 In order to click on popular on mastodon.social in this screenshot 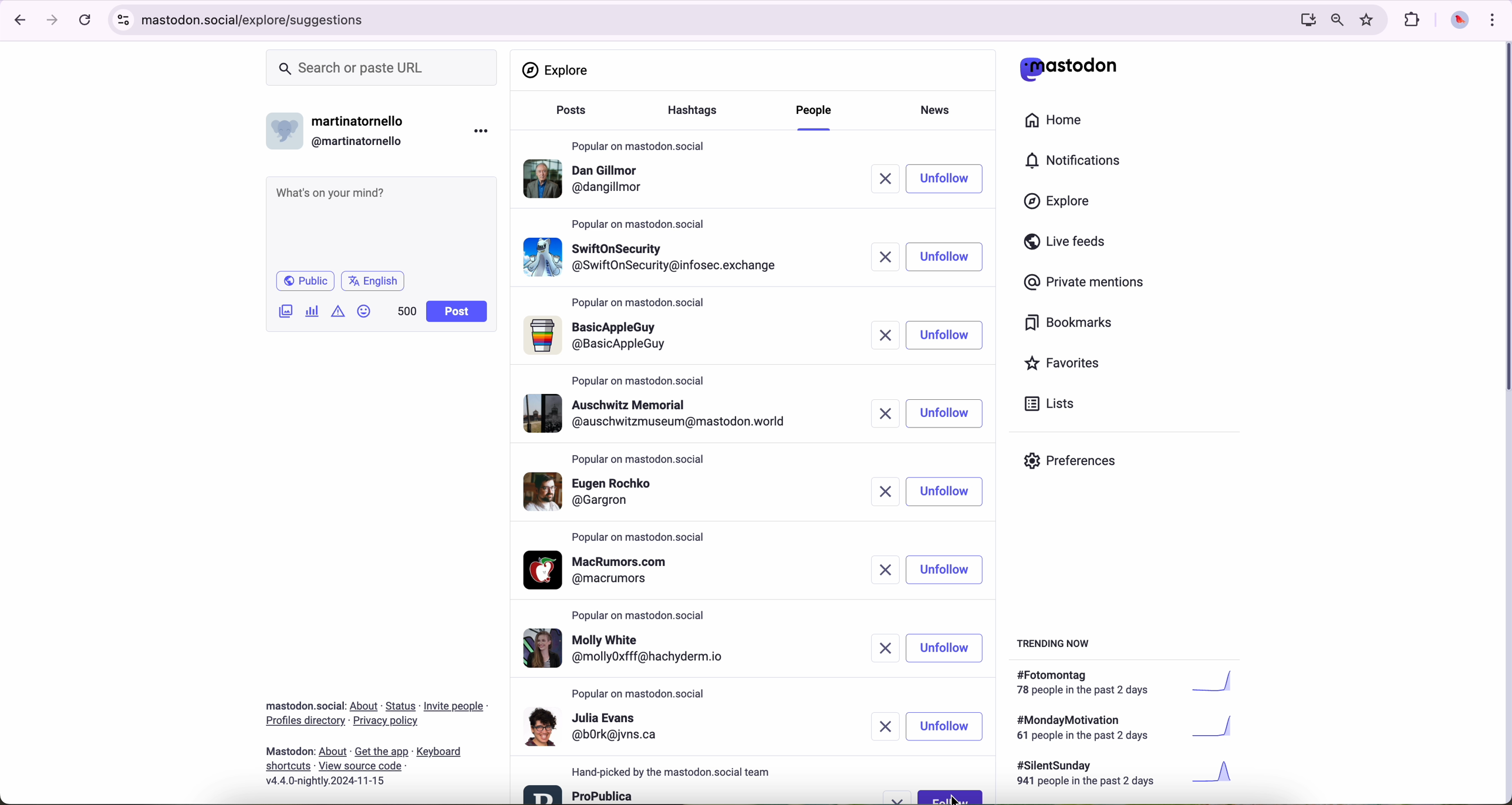, I will do `click(637, 457)`.